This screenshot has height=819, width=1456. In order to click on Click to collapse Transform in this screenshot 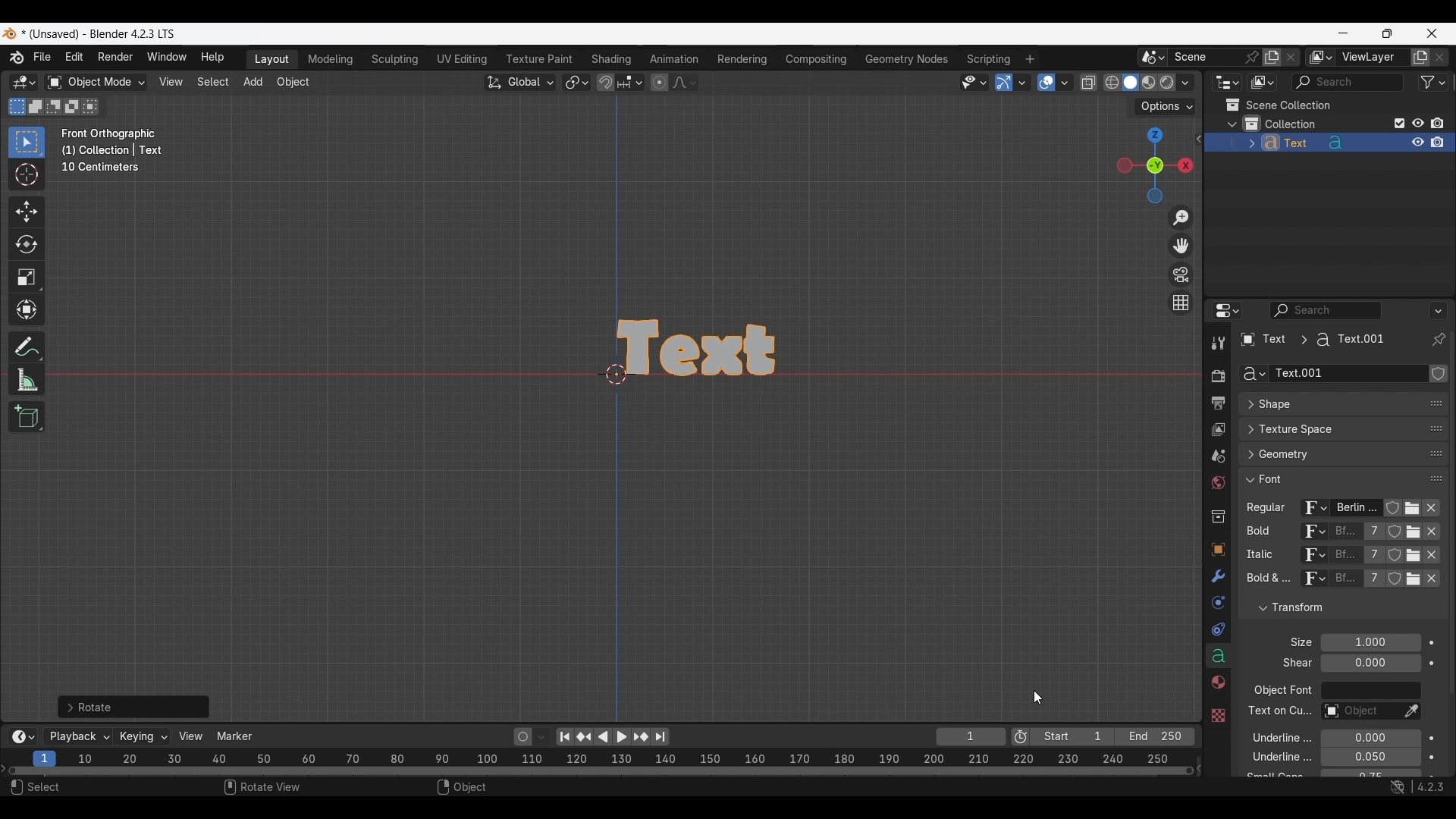, I will do `click(1330, 608)`.